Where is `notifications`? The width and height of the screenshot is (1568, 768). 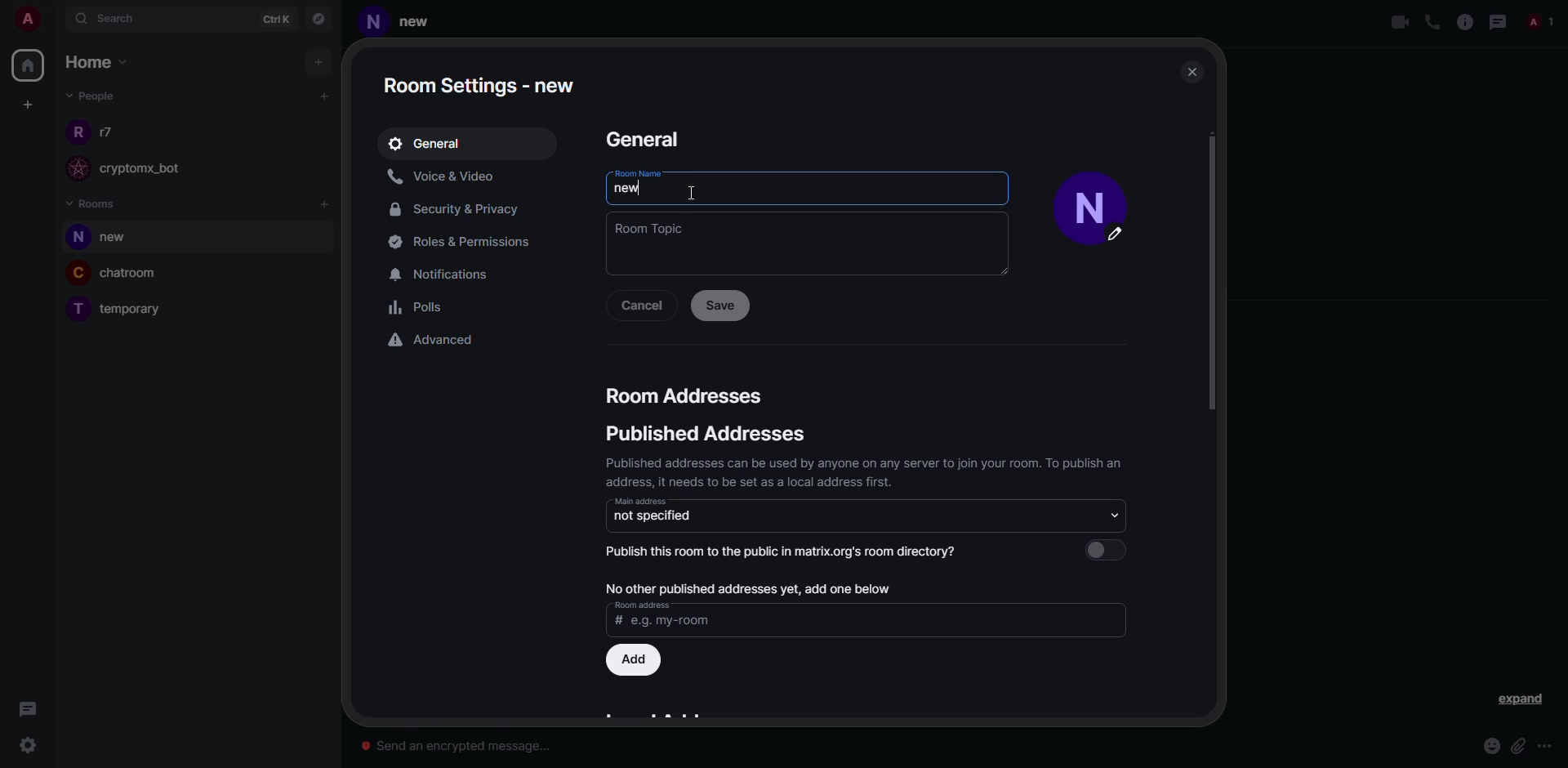 notifications is located at coordinates (448, 273).